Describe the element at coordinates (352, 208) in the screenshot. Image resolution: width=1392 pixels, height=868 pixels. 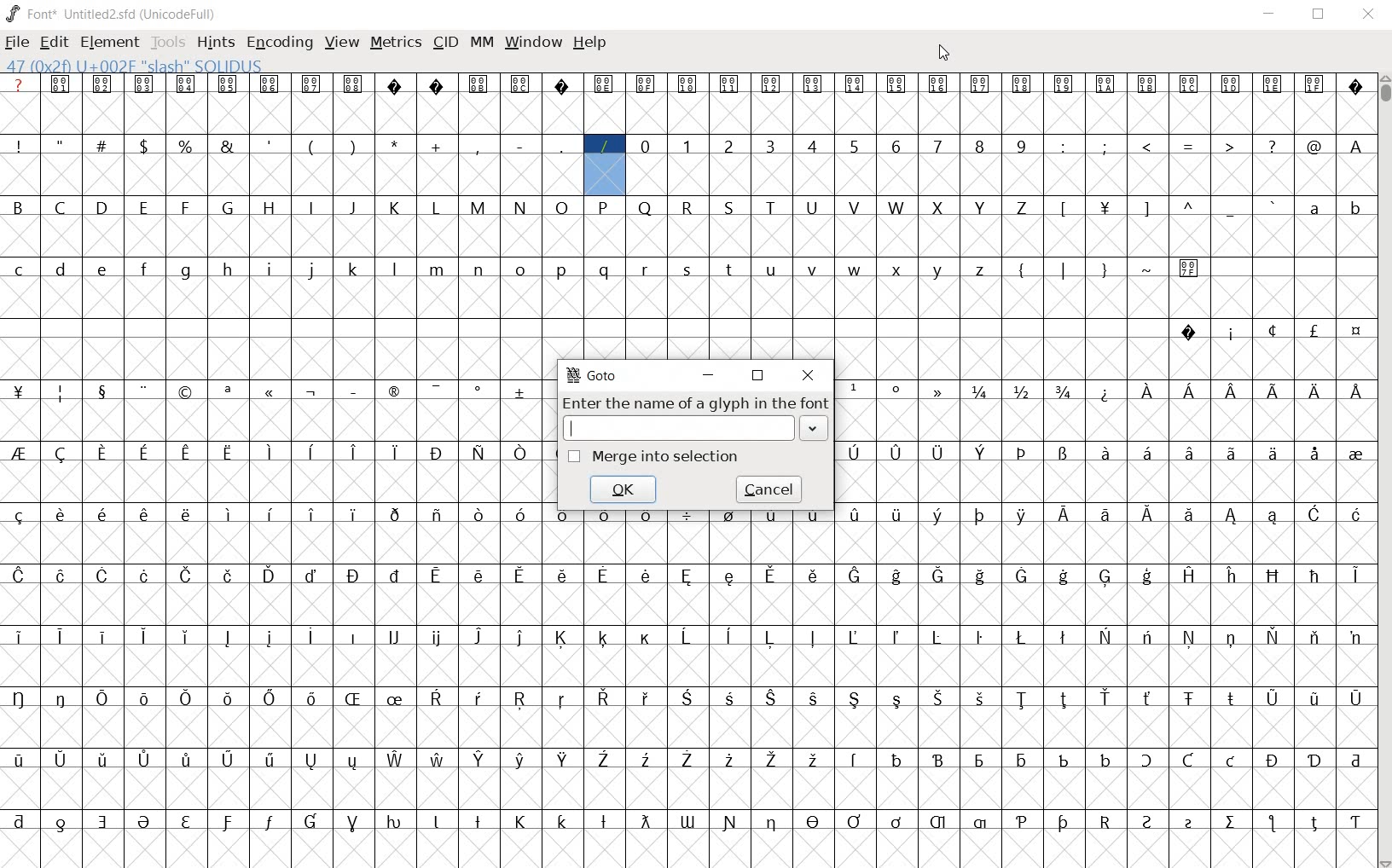
I see `glyph` at that location.